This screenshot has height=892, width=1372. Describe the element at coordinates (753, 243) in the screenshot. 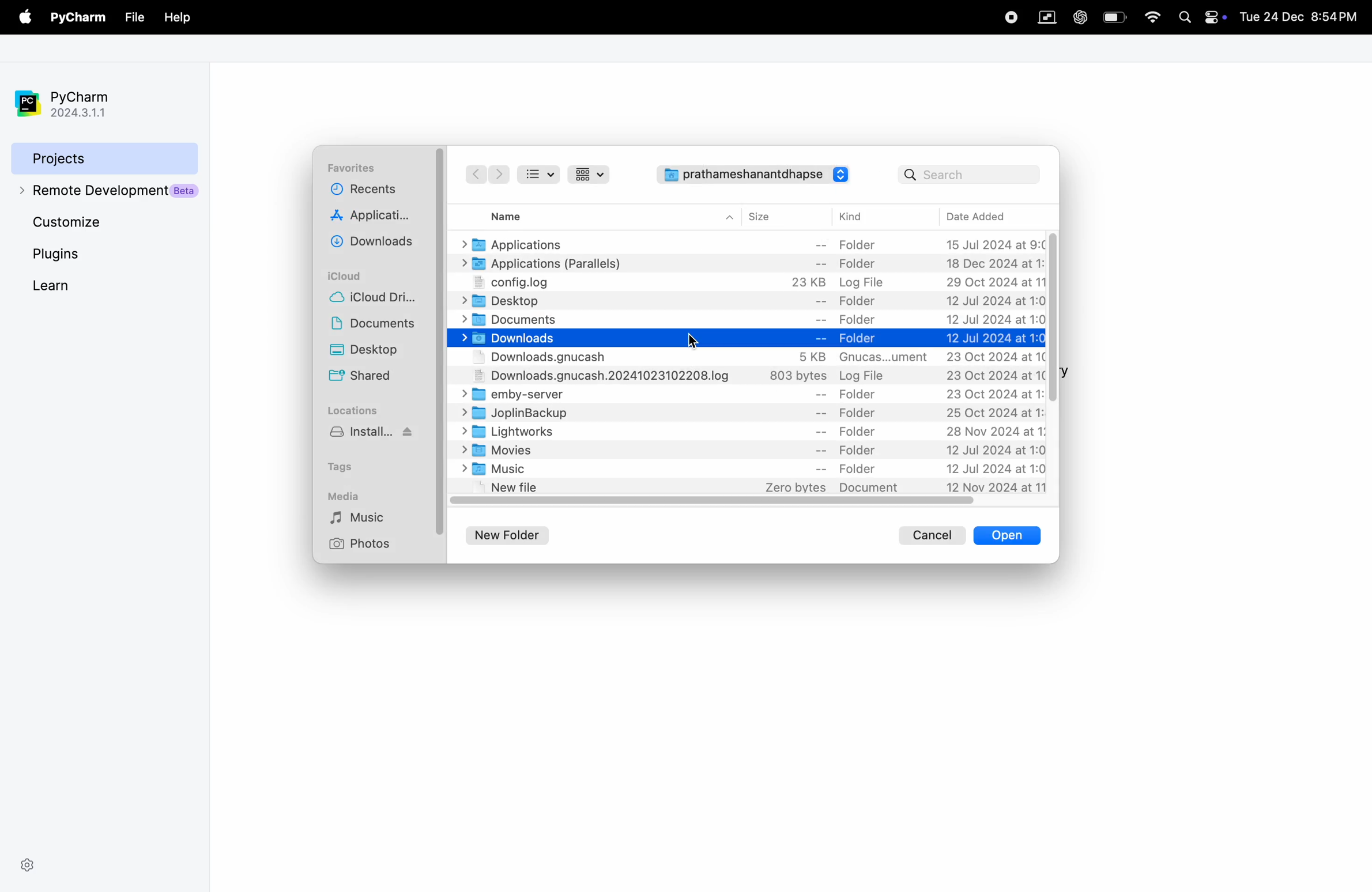

I see `applications` at that location.